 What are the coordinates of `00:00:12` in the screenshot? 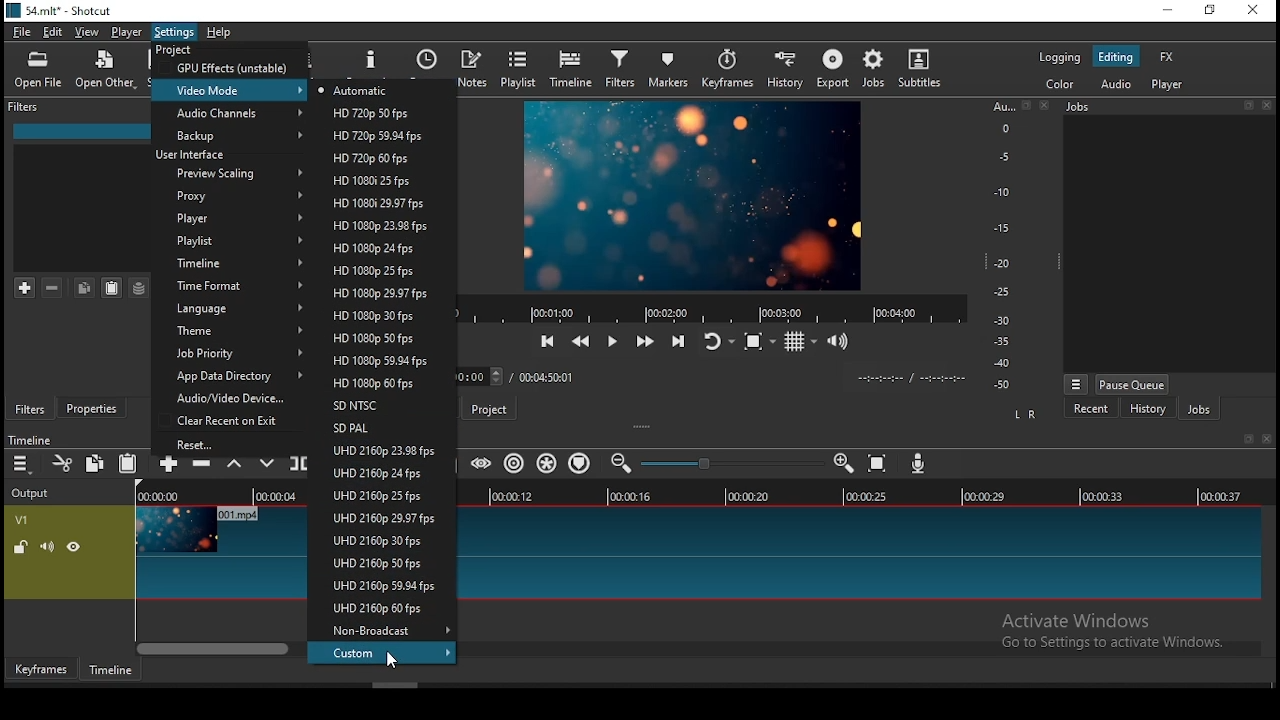 It's located at (515, 496).